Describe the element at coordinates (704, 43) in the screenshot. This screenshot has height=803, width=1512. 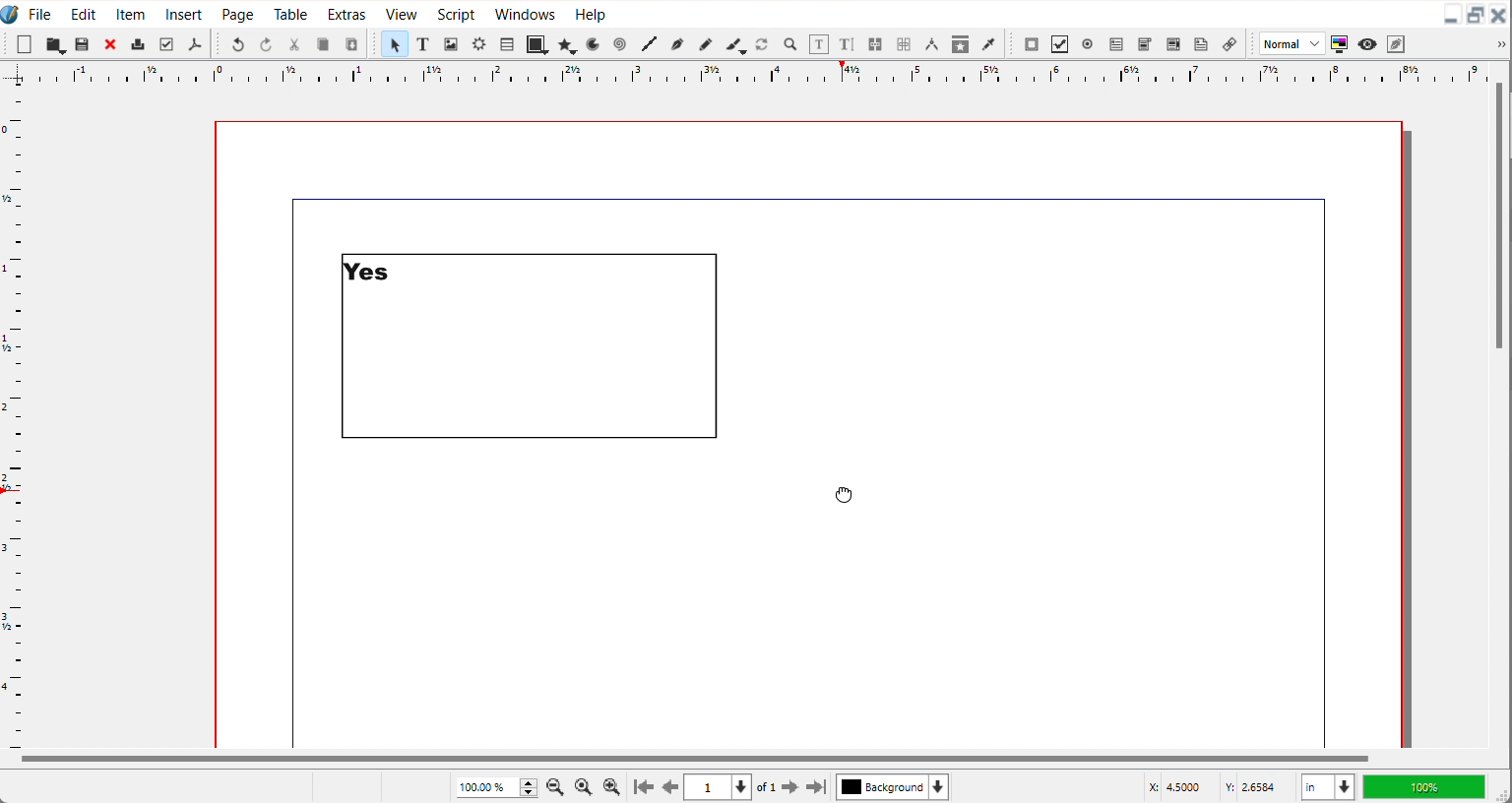
I see `Freehand line` at that location.